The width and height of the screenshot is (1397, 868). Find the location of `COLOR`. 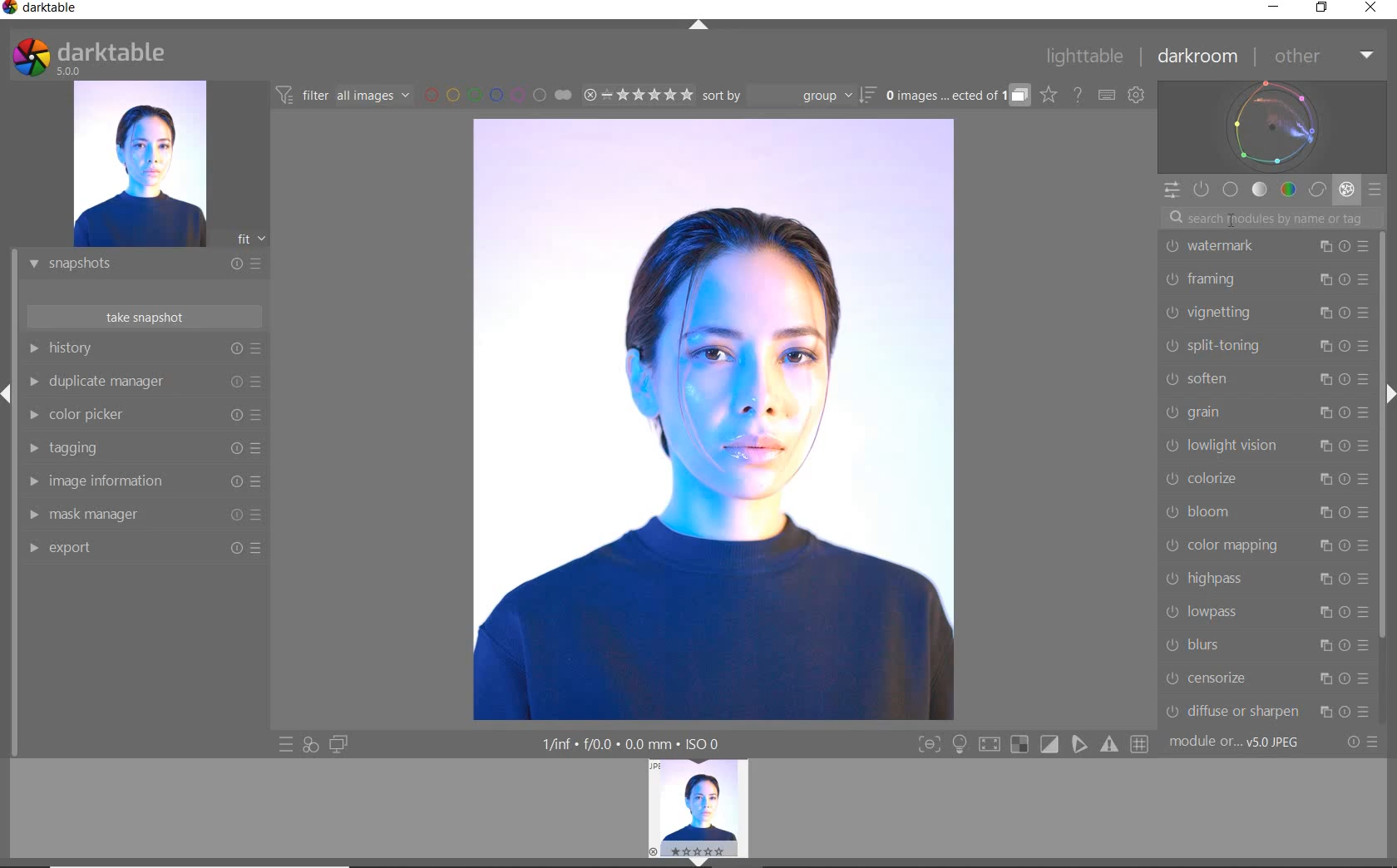

COLOR is located at coordinates (1289, 189).